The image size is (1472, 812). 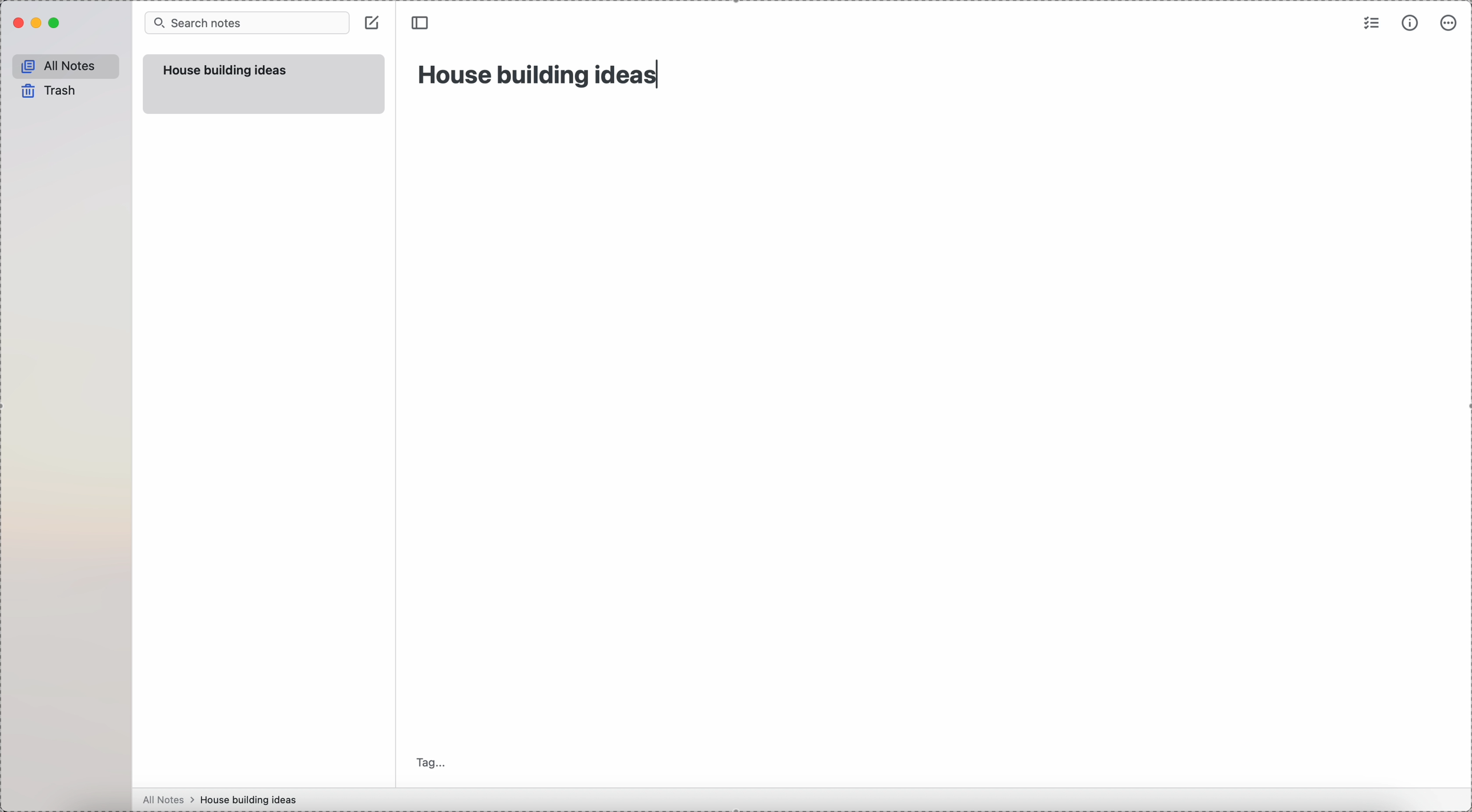 I want to click on close Simplenote, so click(x=18, y=23).